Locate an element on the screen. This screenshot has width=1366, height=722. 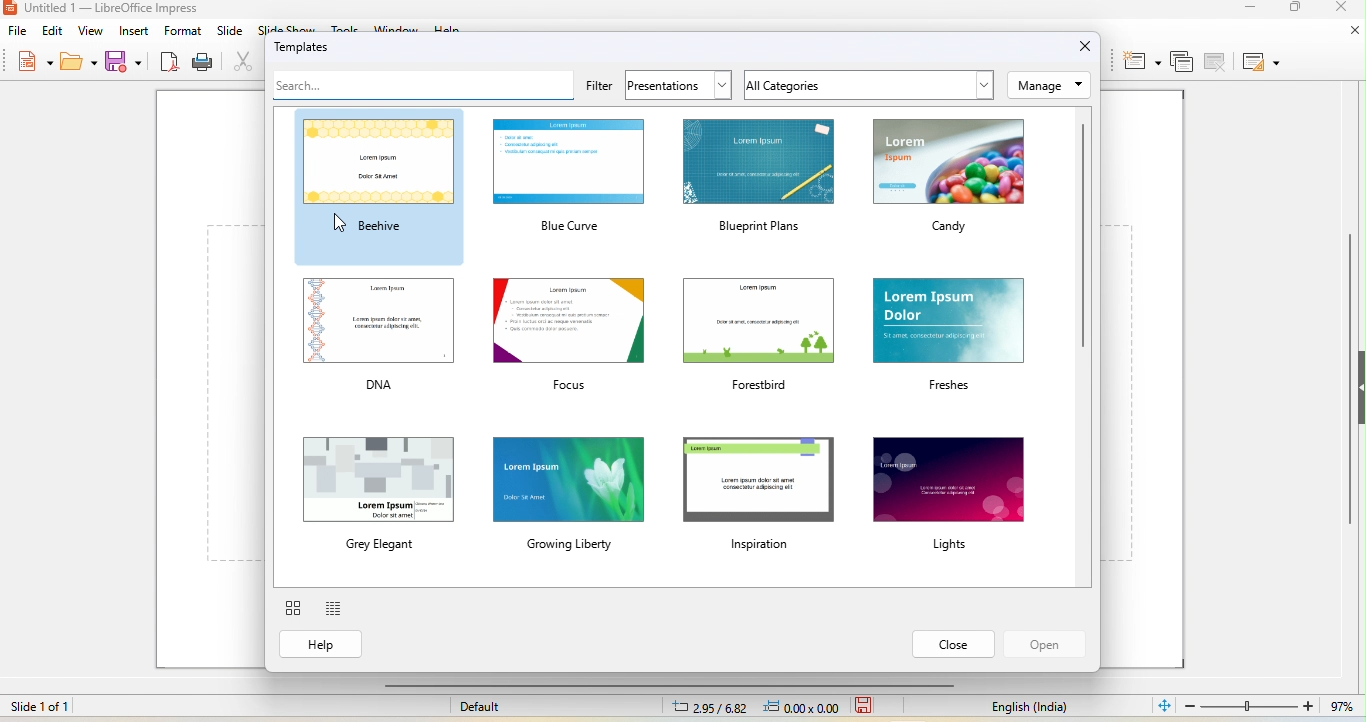
save is located at coordinates (126, 60).